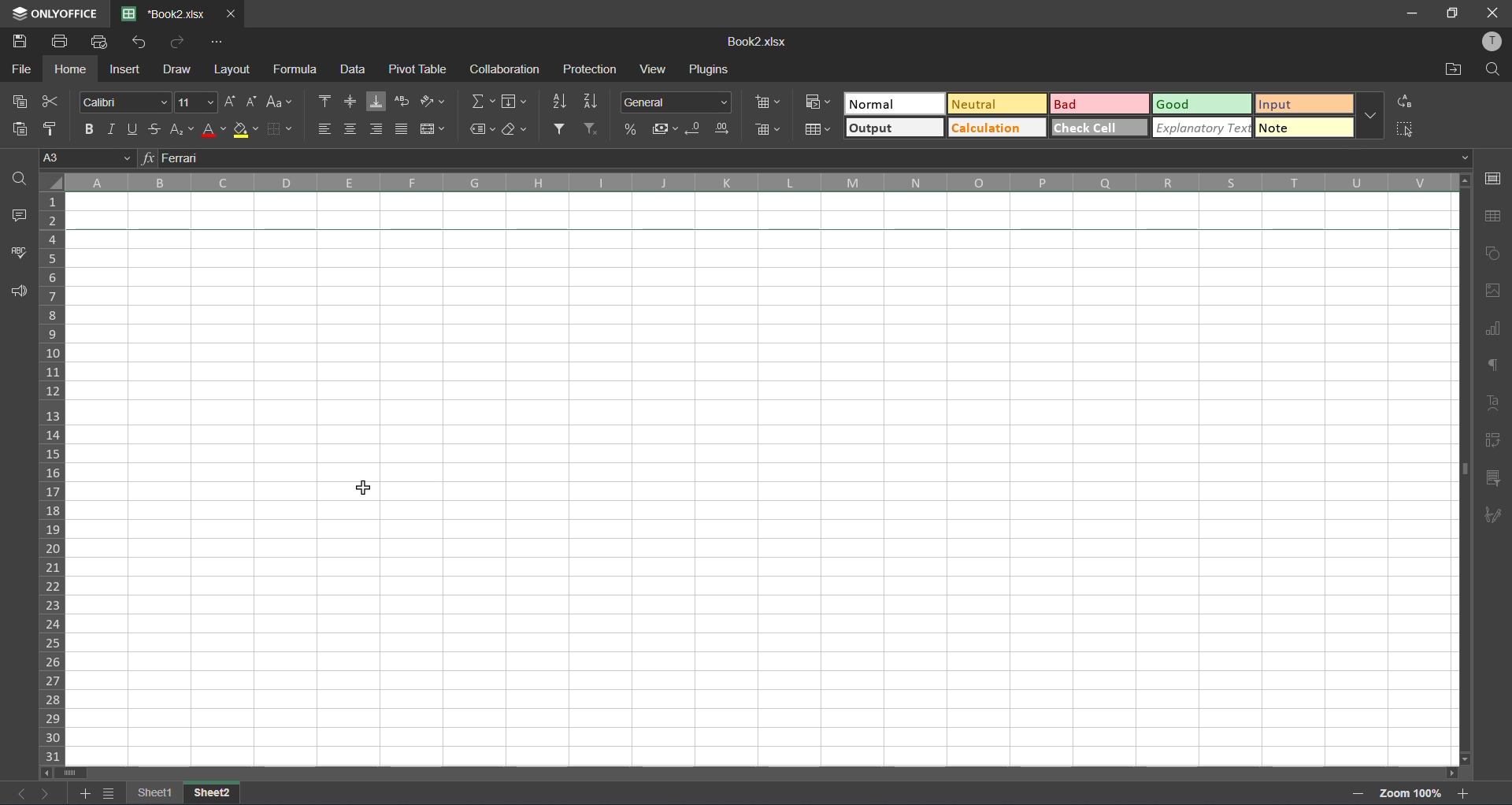 The image size is (1512, 805). I want to click on redo, so click(177, 39).